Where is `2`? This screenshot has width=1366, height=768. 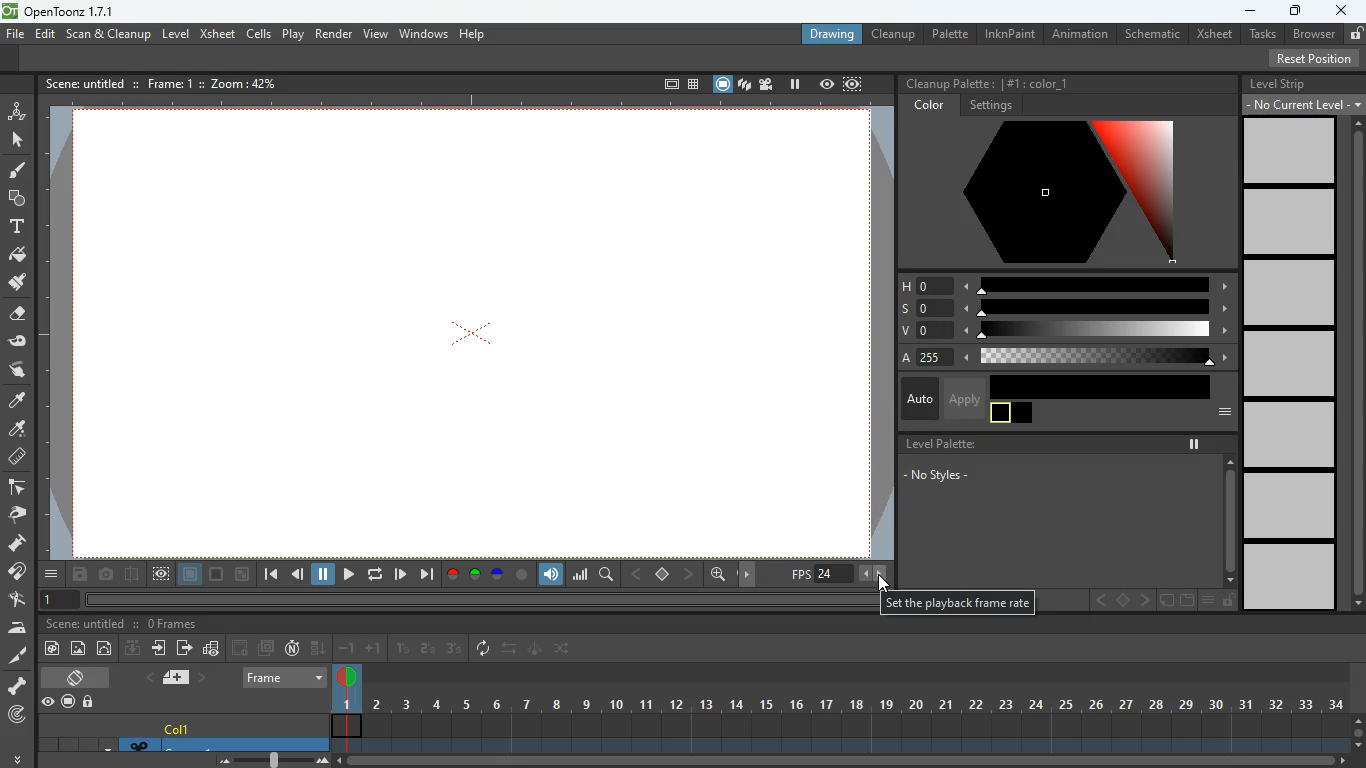 2 is located at coordinates (429, 648).